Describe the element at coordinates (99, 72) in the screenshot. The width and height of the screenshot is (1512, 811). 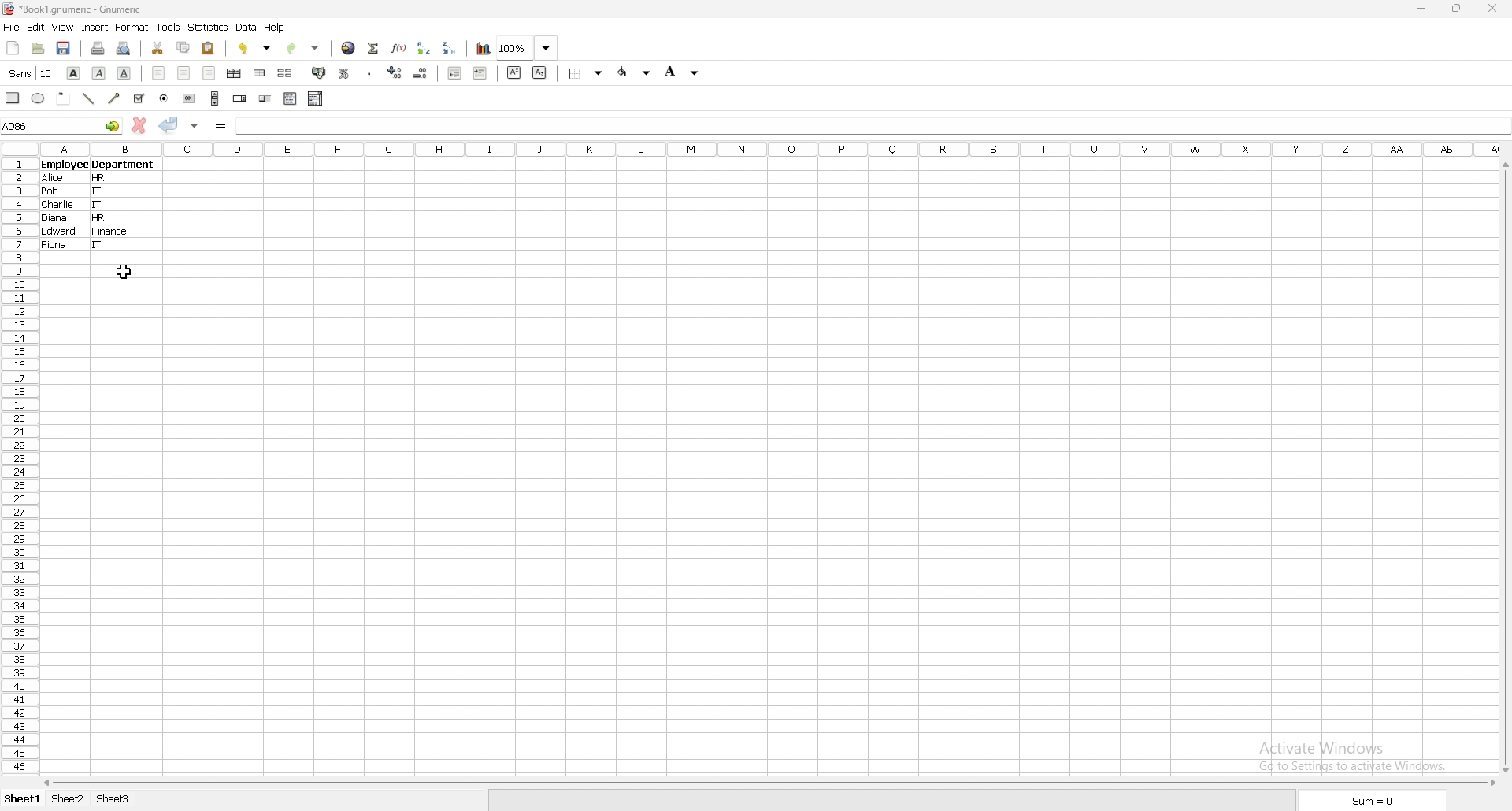
I see `italic` at that location.